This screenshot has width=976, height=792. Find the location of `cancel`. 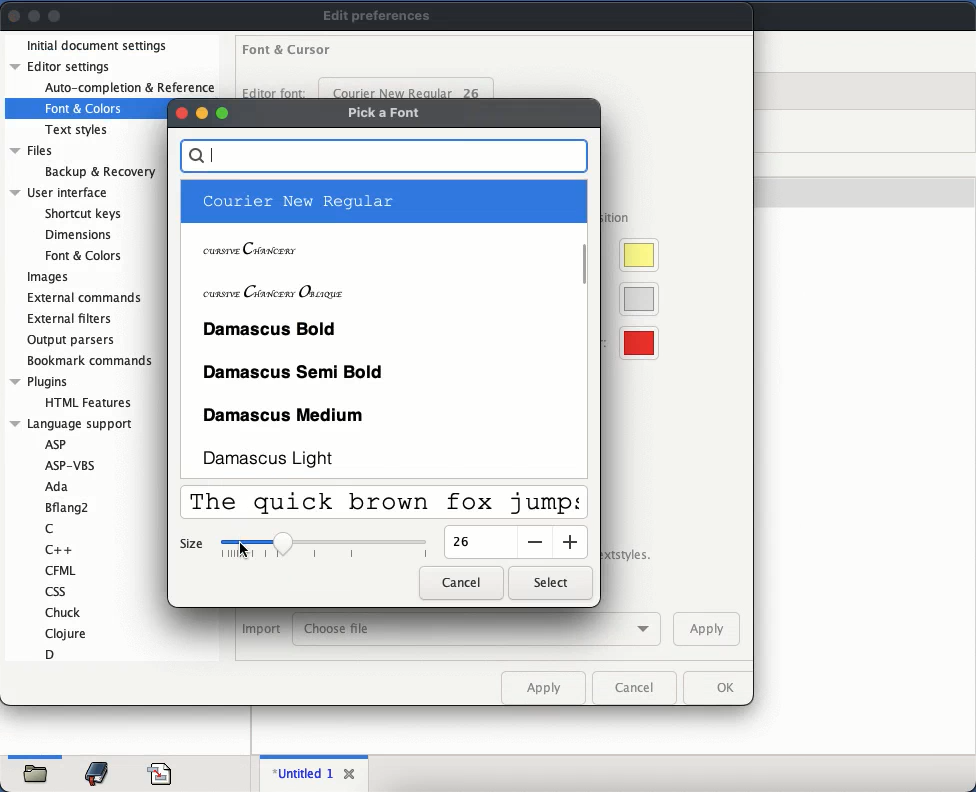

cancel is located at coordinates (638, 690).